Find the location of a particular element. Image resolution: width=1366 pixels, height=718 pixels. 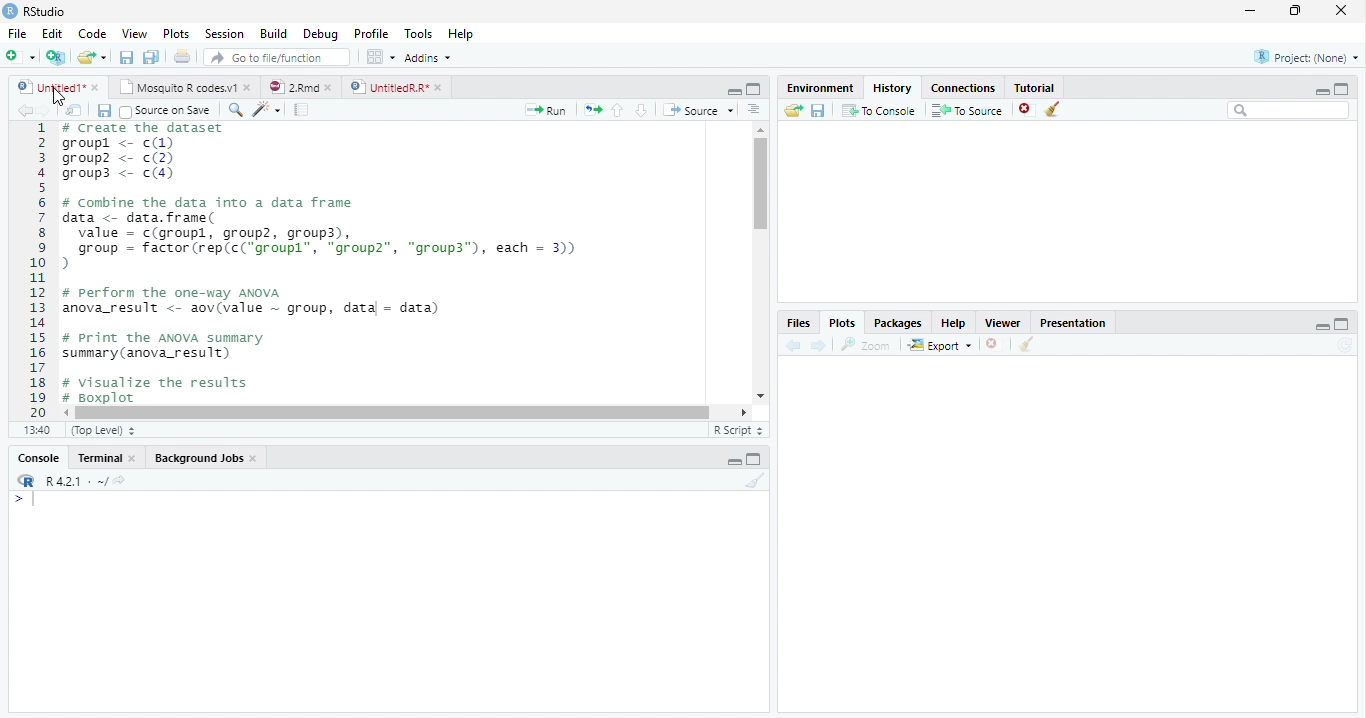

Maximize is located at coordinates (1297, 11).